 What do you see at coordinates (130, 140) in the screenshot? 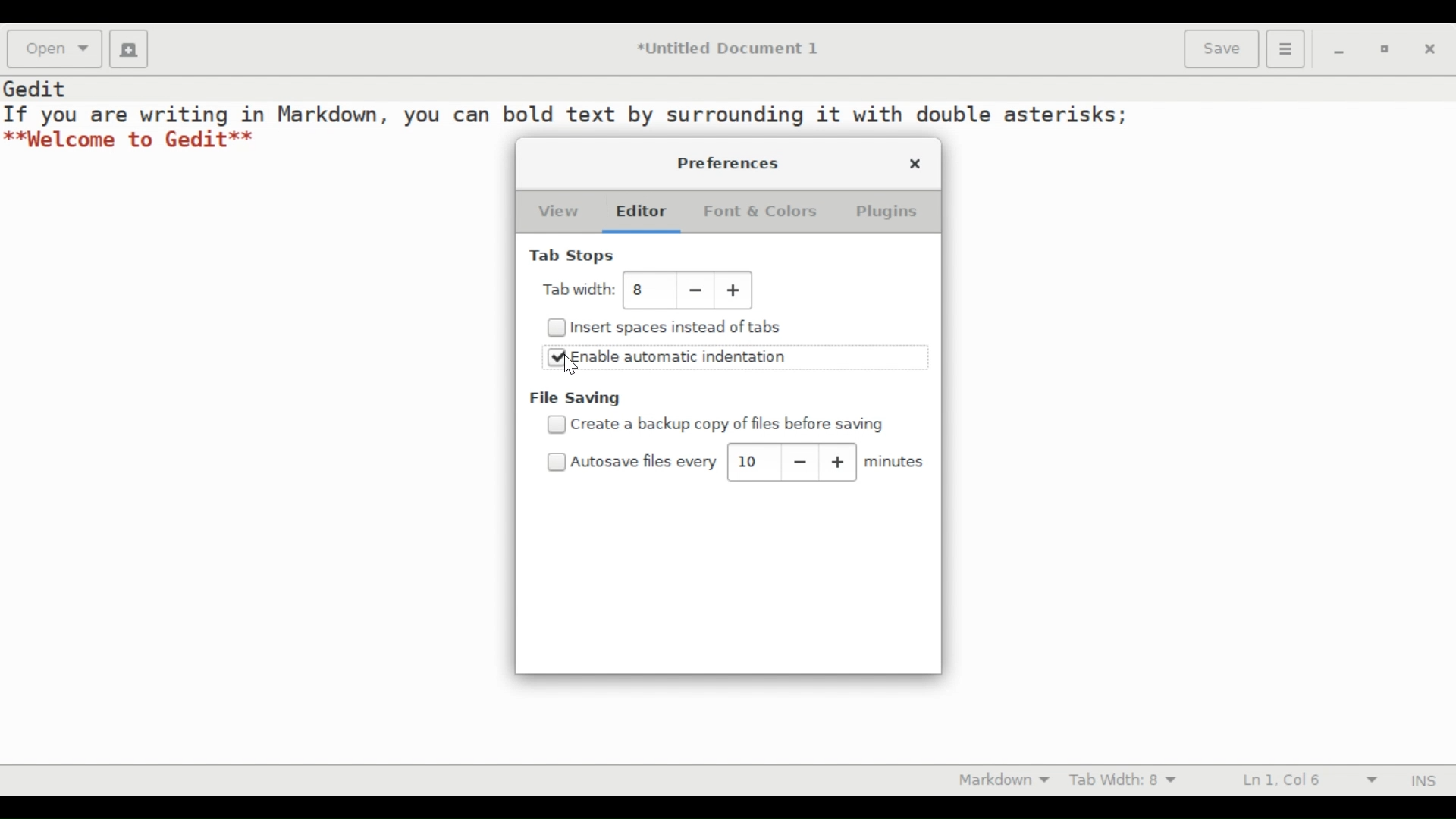
I see `**Welcome to Gedit**` at bounding box center [130, 140].